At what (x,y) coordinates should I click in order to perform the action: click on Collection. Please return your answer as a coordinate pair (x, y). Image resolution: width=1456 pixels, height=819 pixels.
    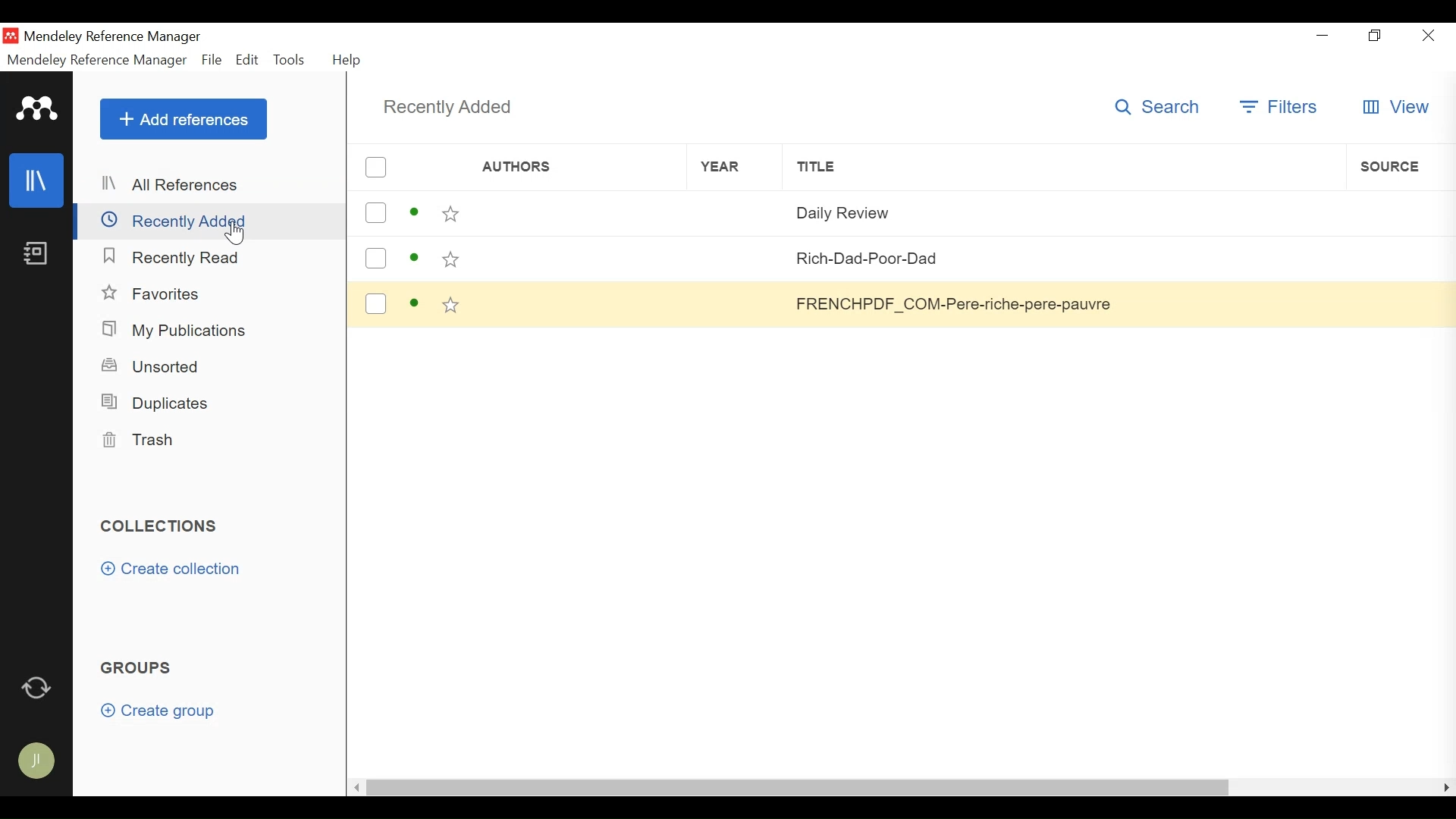
    Looking at the image, I should click on (161, 527).